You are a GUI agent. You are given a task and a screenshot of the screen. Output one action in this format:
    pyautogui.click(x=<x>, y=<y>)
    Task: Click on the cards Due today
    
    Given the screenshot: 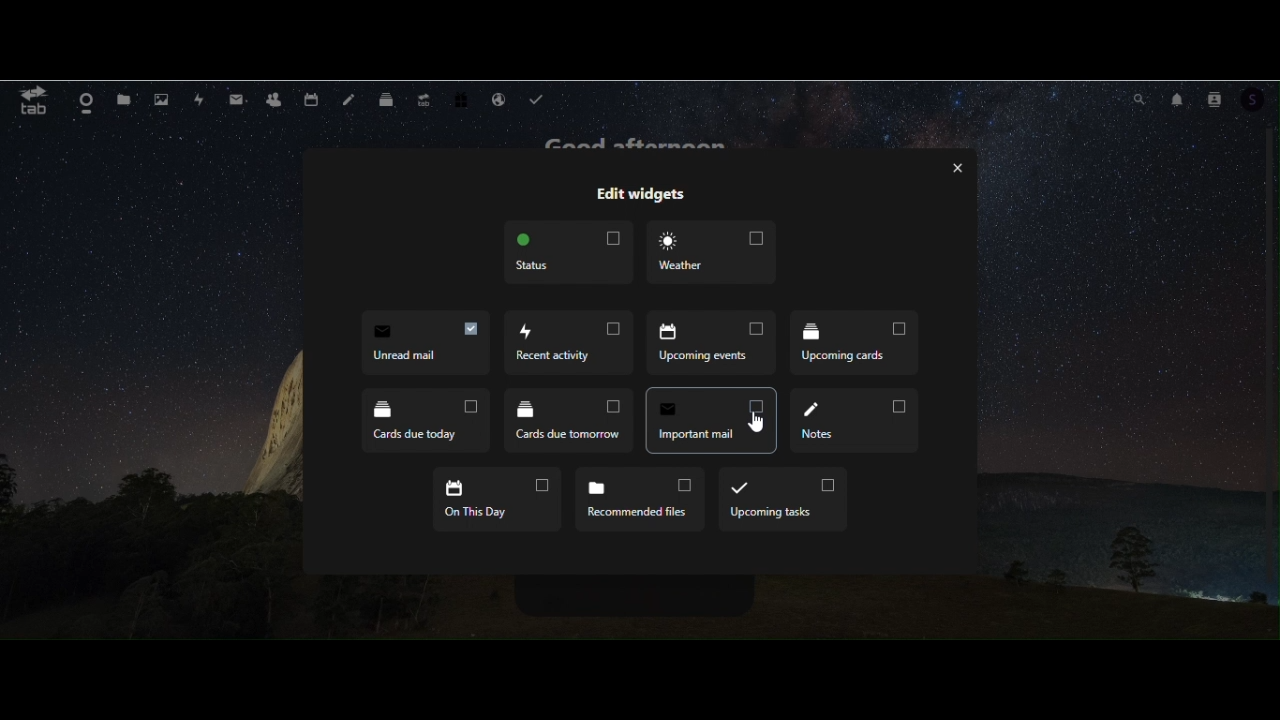 What is the action you would take?
    pyautogui.click(x=853, y=344)
    